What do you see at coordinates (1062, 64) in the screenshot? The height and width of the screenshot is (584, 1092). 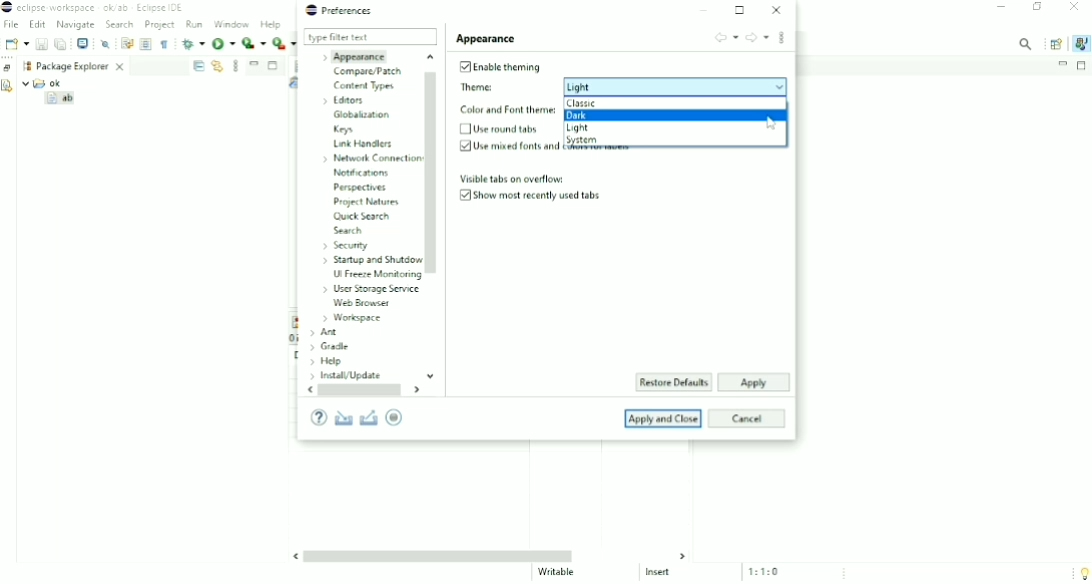 I see `Minimize` at bounding box center [1062, 64].